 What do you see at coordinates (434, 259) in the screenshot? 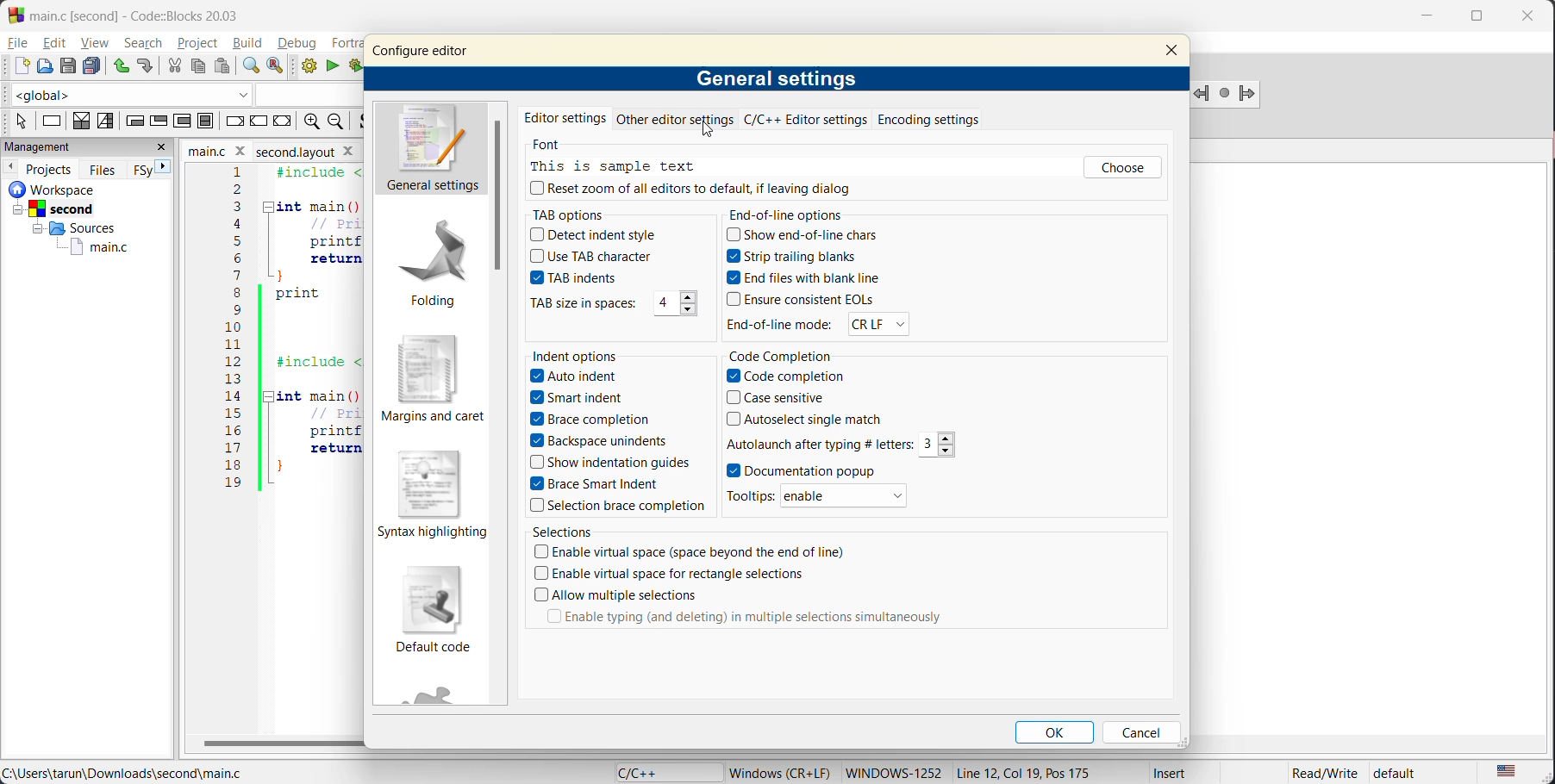
I see `folding` at bounding box center [434, 259].